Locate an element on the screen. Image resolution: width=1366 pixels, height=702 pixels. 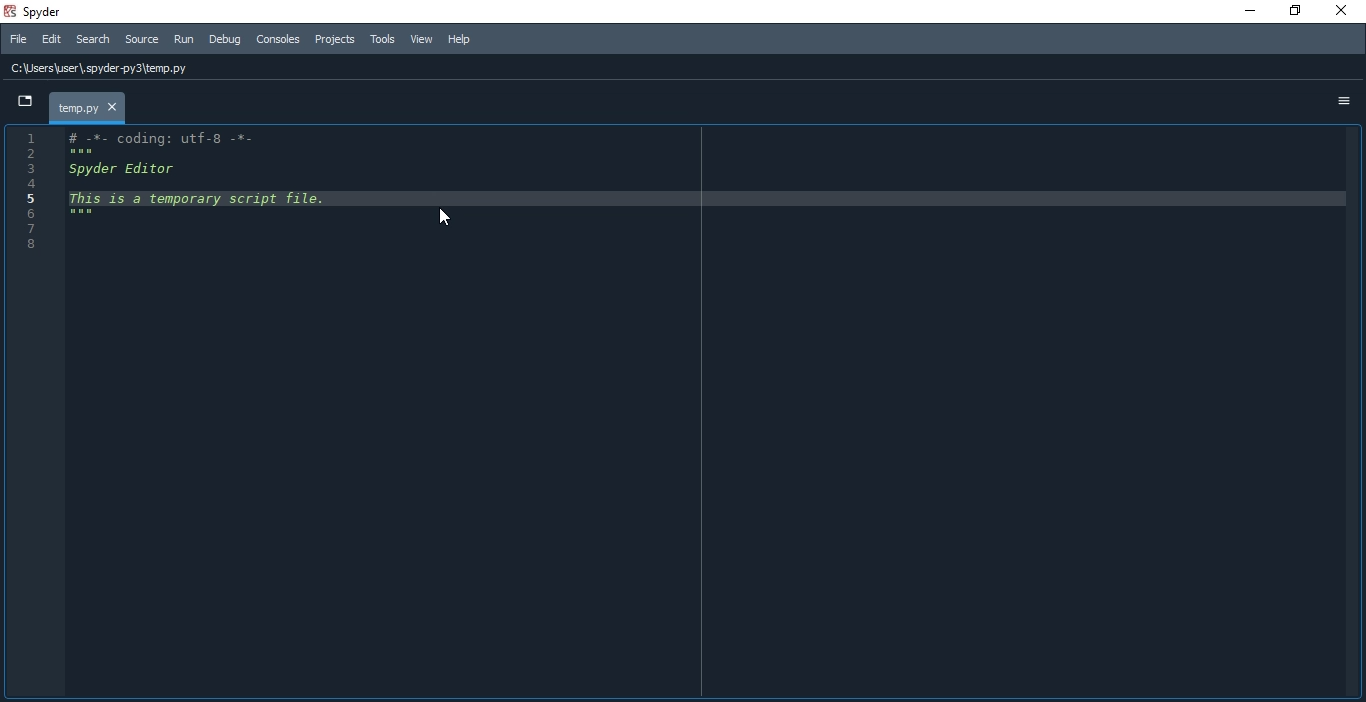
minimise is located at coordinates (1243, 13).